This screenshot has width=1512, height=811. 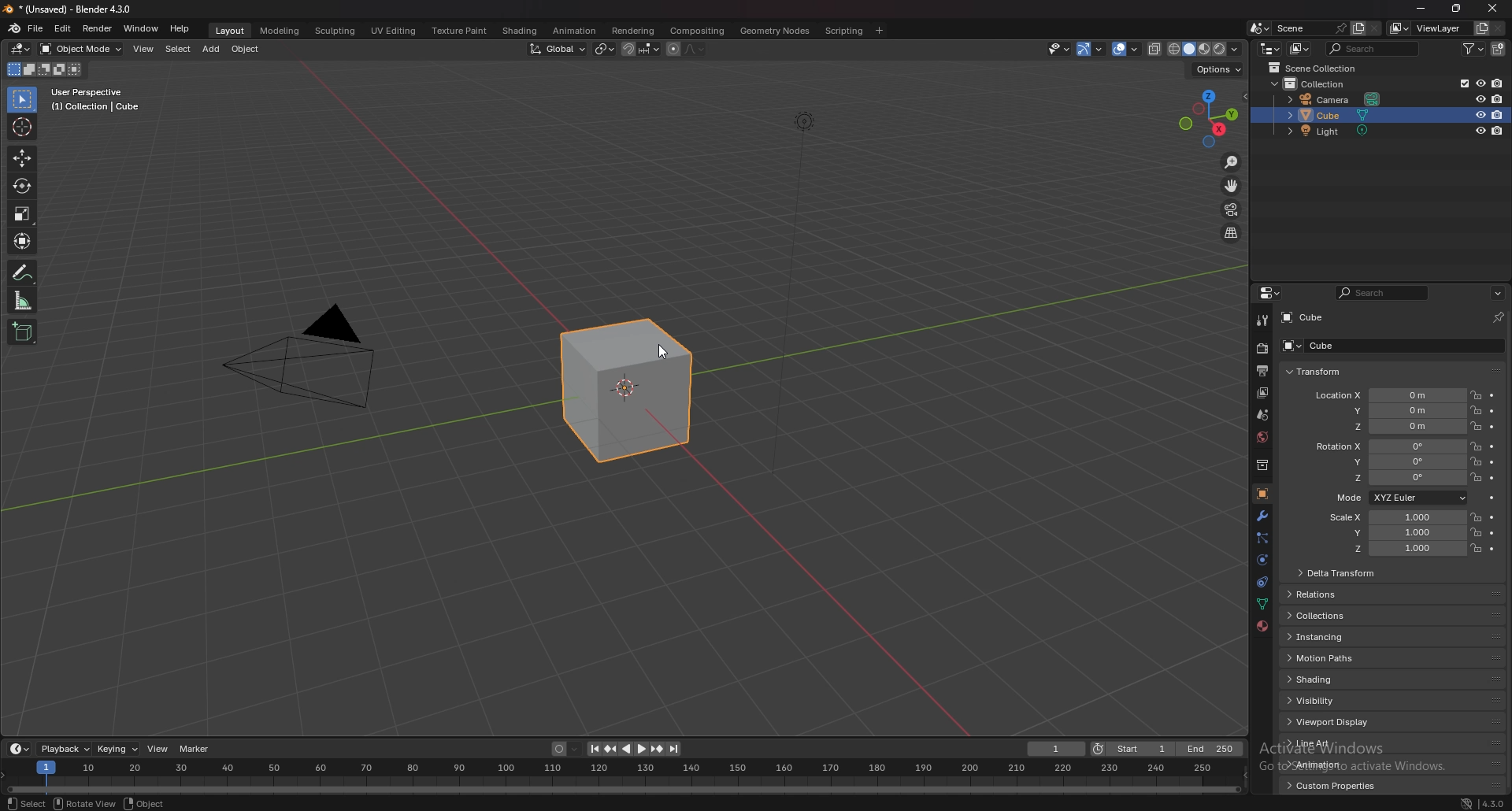 I want to click on animate property, so click(x=1492, y=427).